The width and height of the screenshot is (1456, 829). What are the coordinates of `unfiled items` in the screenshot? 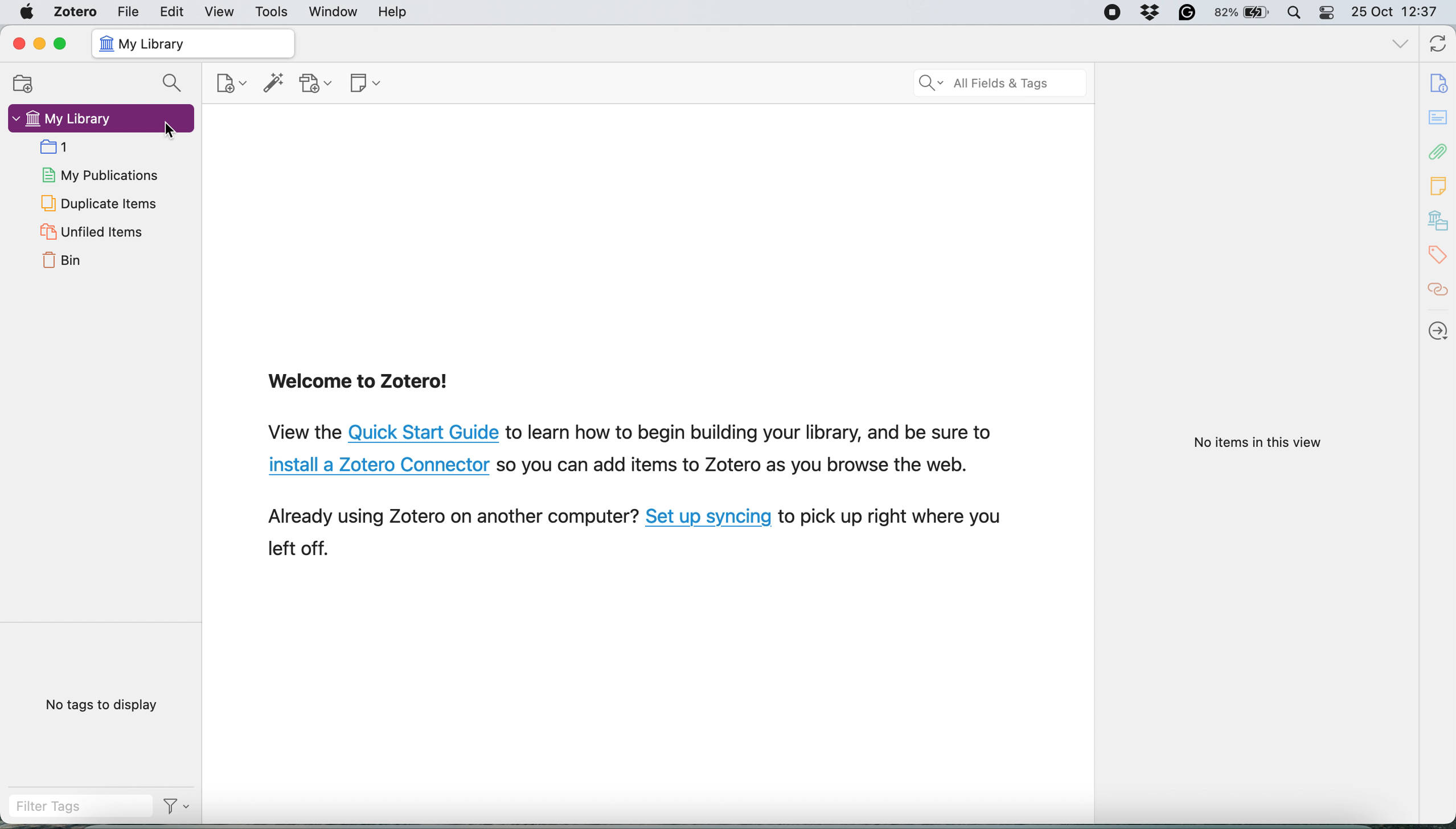 It's located at (91, 233).